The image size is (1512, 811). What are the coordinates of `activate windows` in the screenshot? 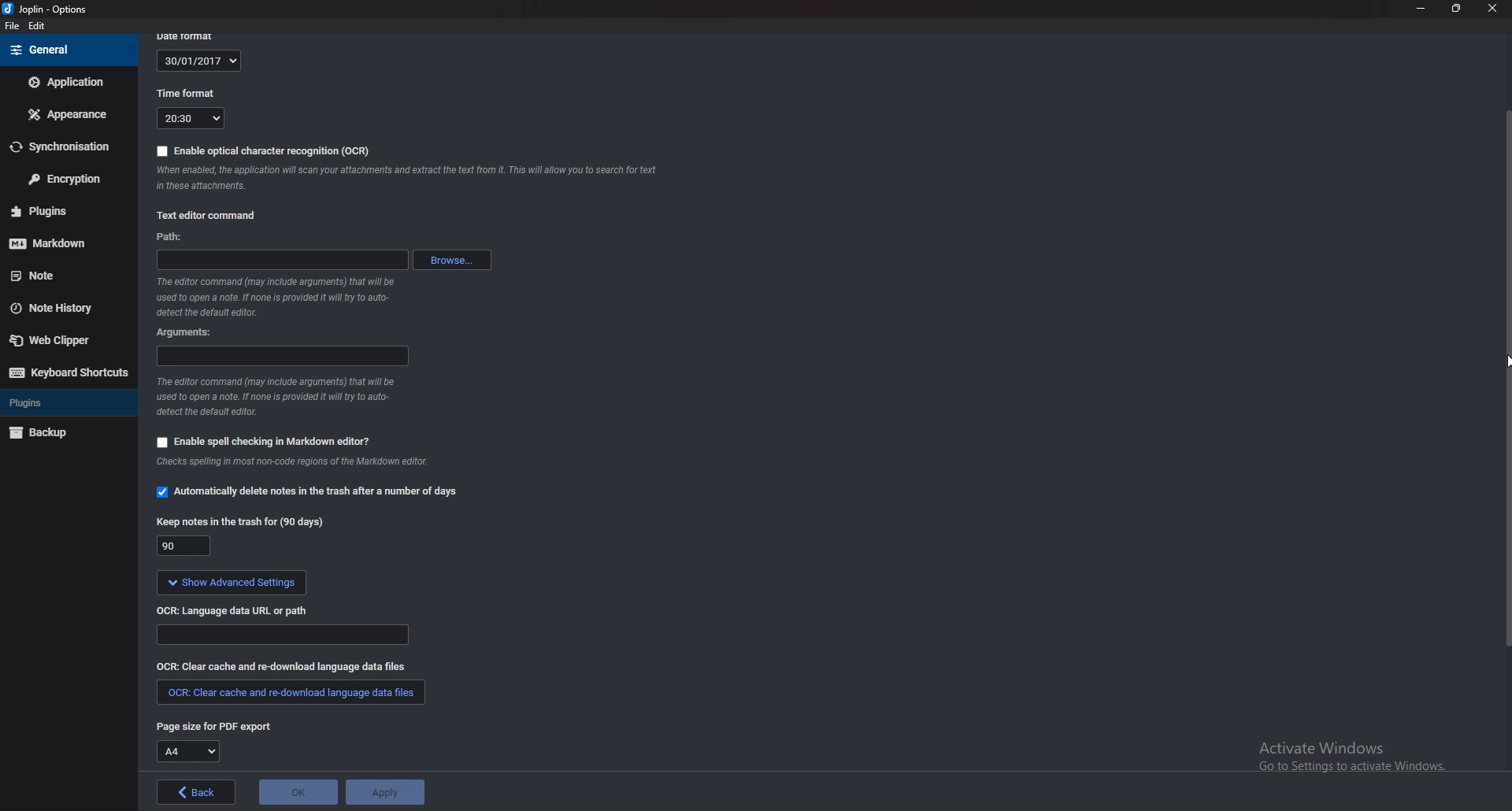 It's located at (1350, 751).